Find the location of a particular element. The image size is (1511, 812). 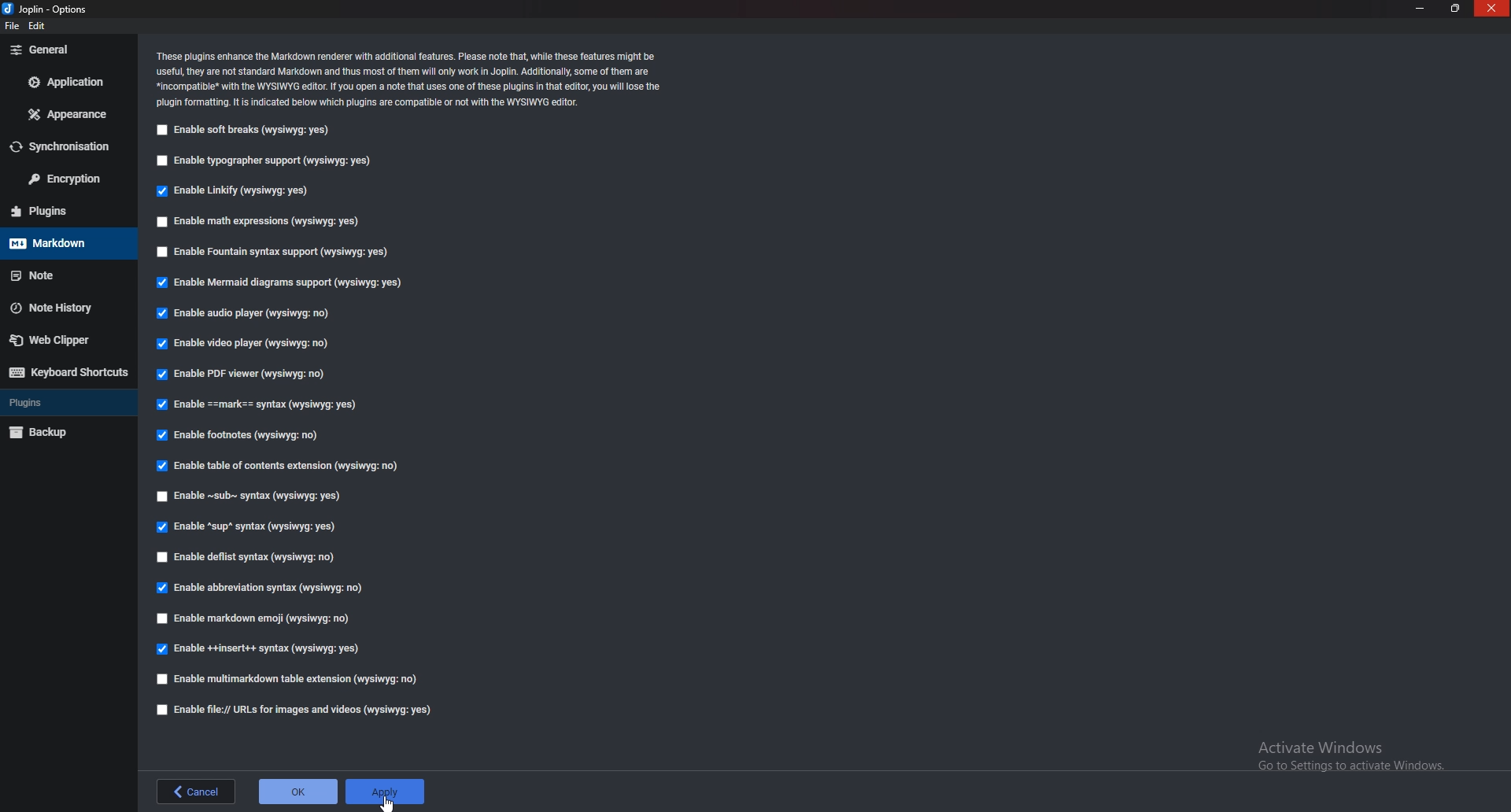

Enable multi markdown table is located at coordinates (286, 679).